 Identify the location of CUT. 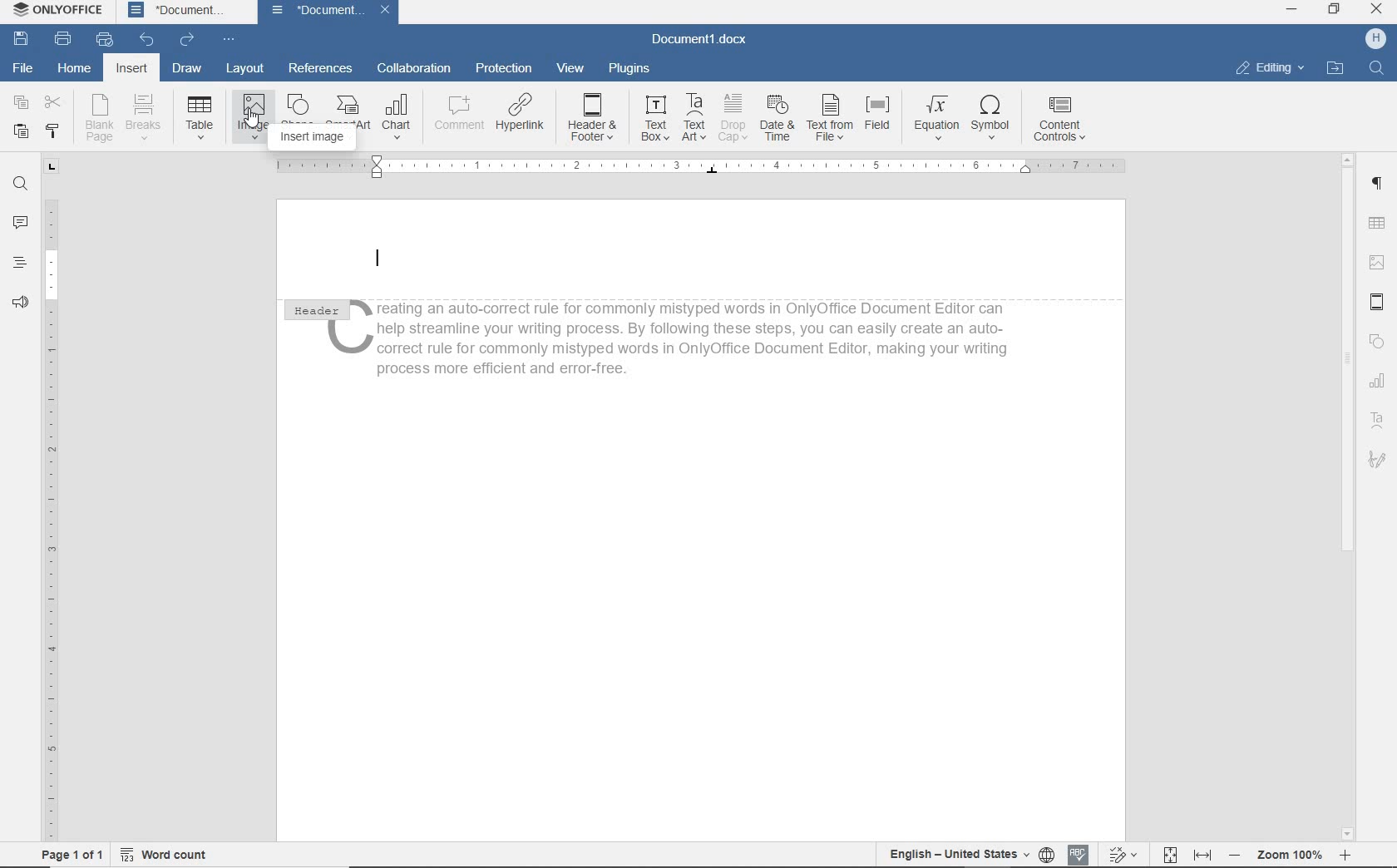
(53, 101).